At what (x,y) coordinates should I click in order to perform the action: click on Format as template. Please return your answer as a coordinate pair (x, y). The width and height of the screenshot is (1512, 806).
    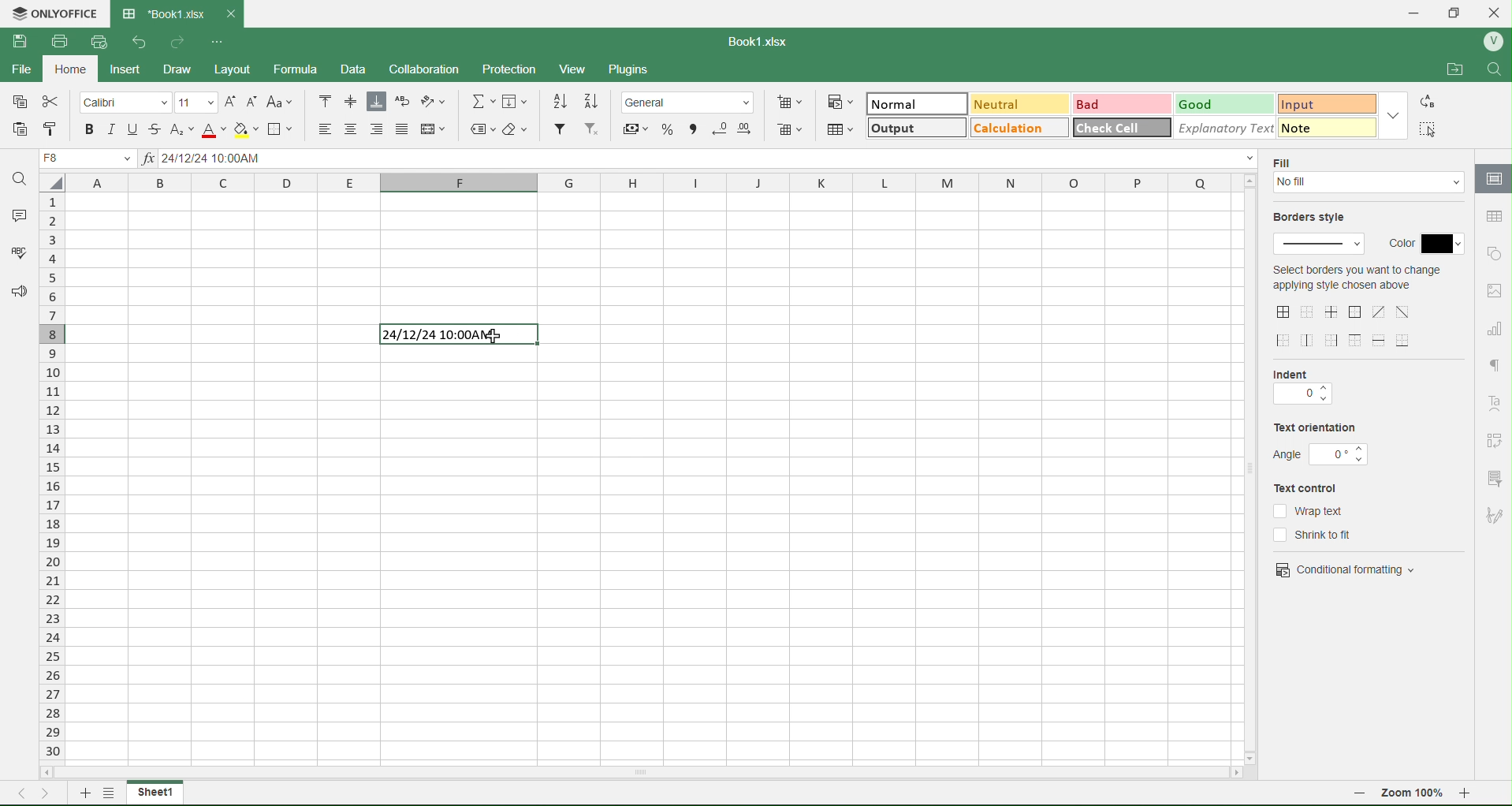
    Looking at the image, I should click on (840, 129).